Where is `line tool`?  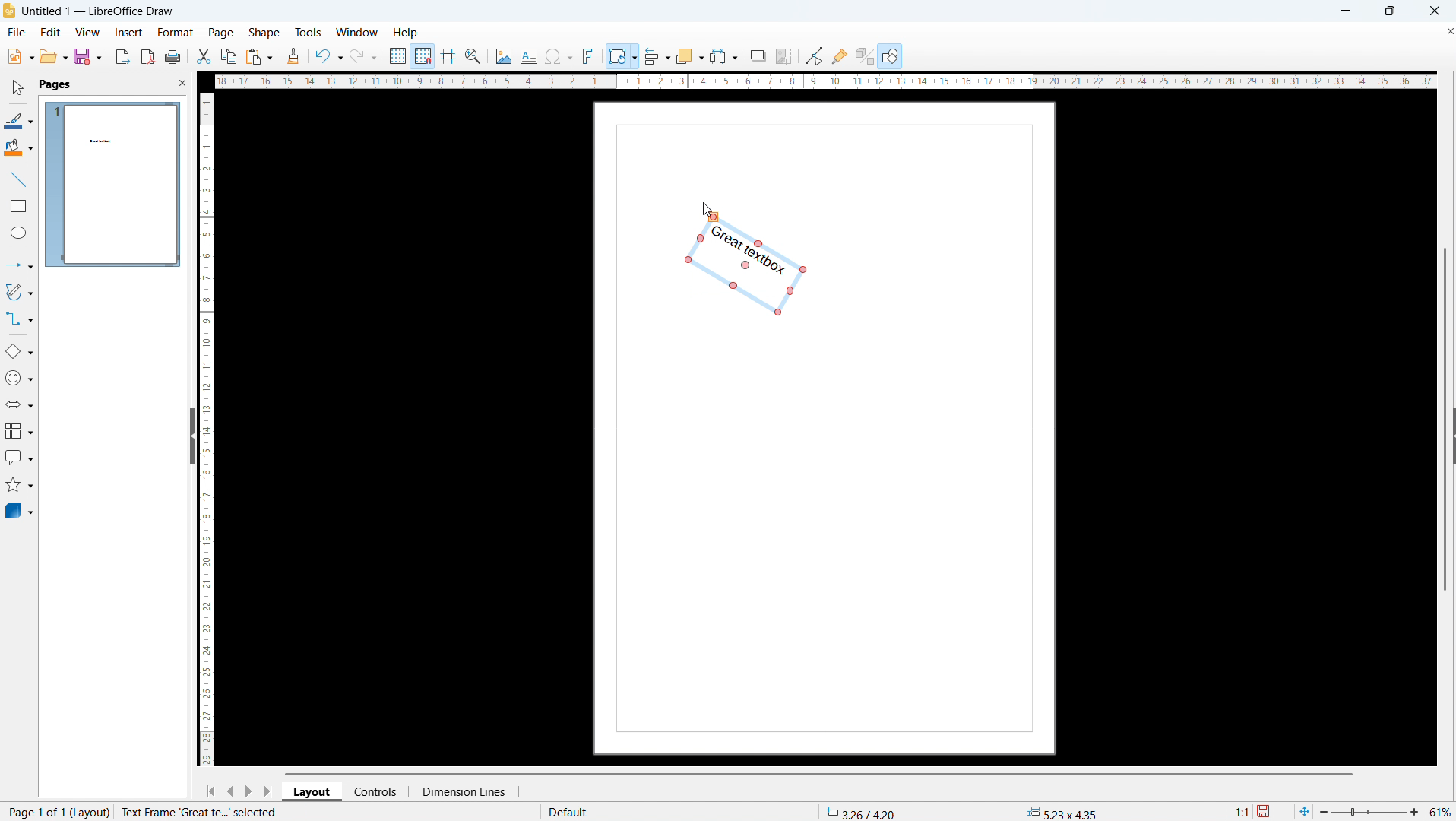 line tool is located at coordinates (18, 178).